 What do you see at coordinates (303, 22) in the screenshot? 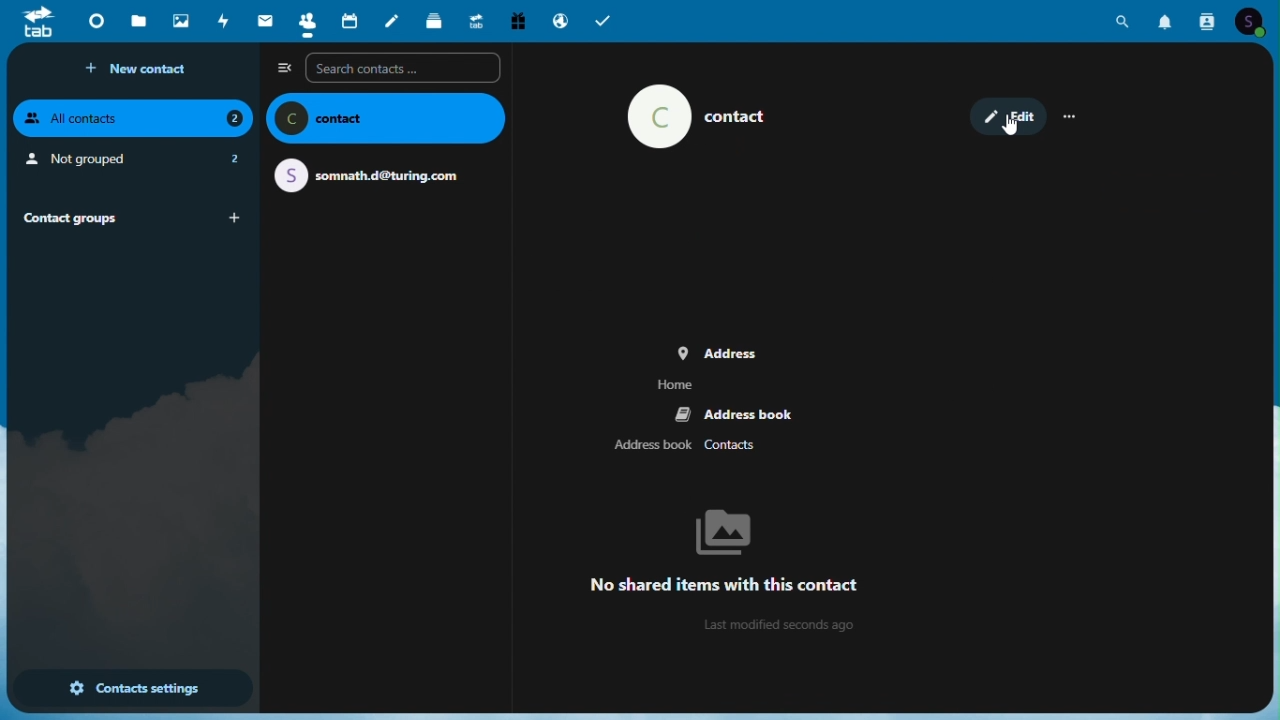
I see `Contacts` at bounding box center [303, 22].